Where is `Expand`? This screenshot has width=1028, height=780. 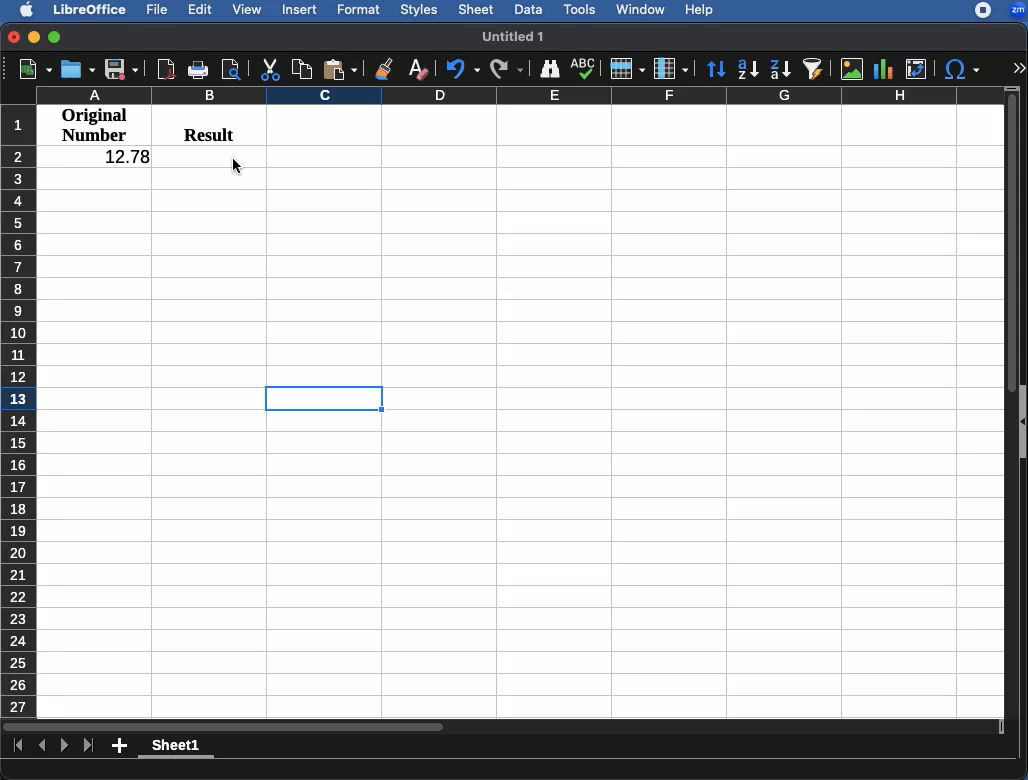 Expand is located at coordinates (1019, 69).